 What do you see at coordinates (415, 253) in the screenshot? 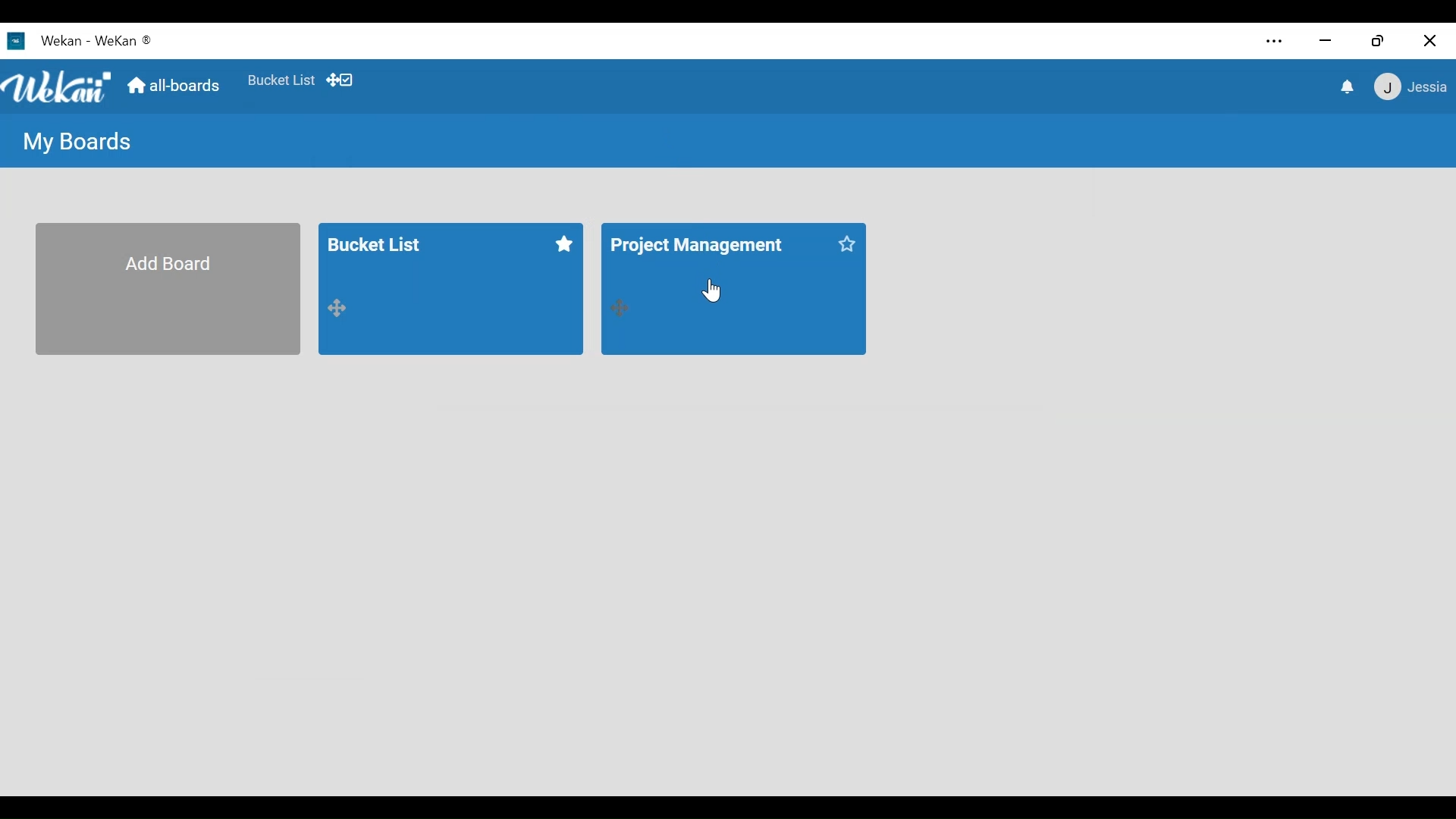
I see `bucket list` at bounding box center [415, 253].